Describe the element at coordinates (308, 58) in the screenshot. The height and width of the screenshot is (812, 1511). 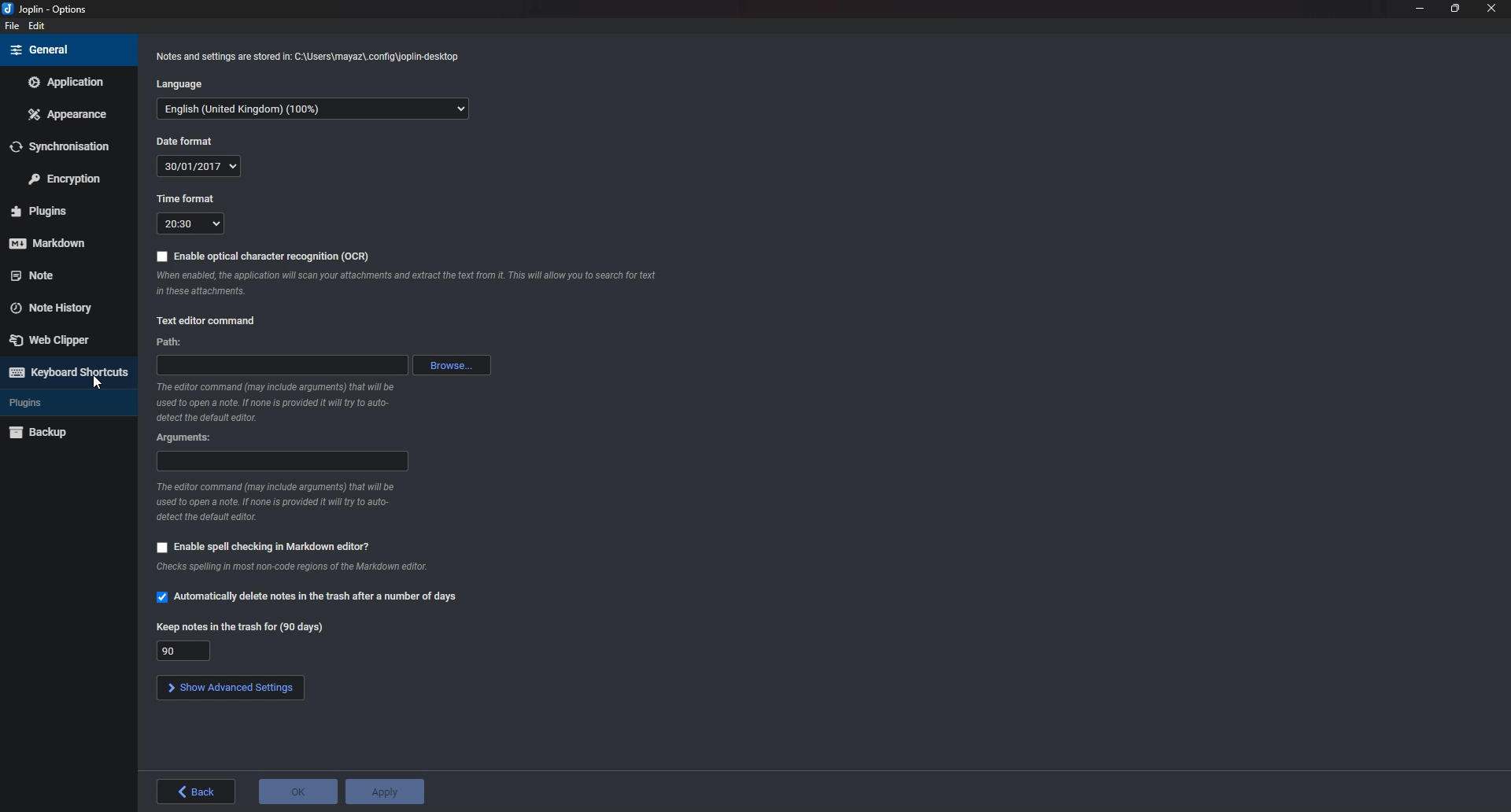
I see `Info` at that location.